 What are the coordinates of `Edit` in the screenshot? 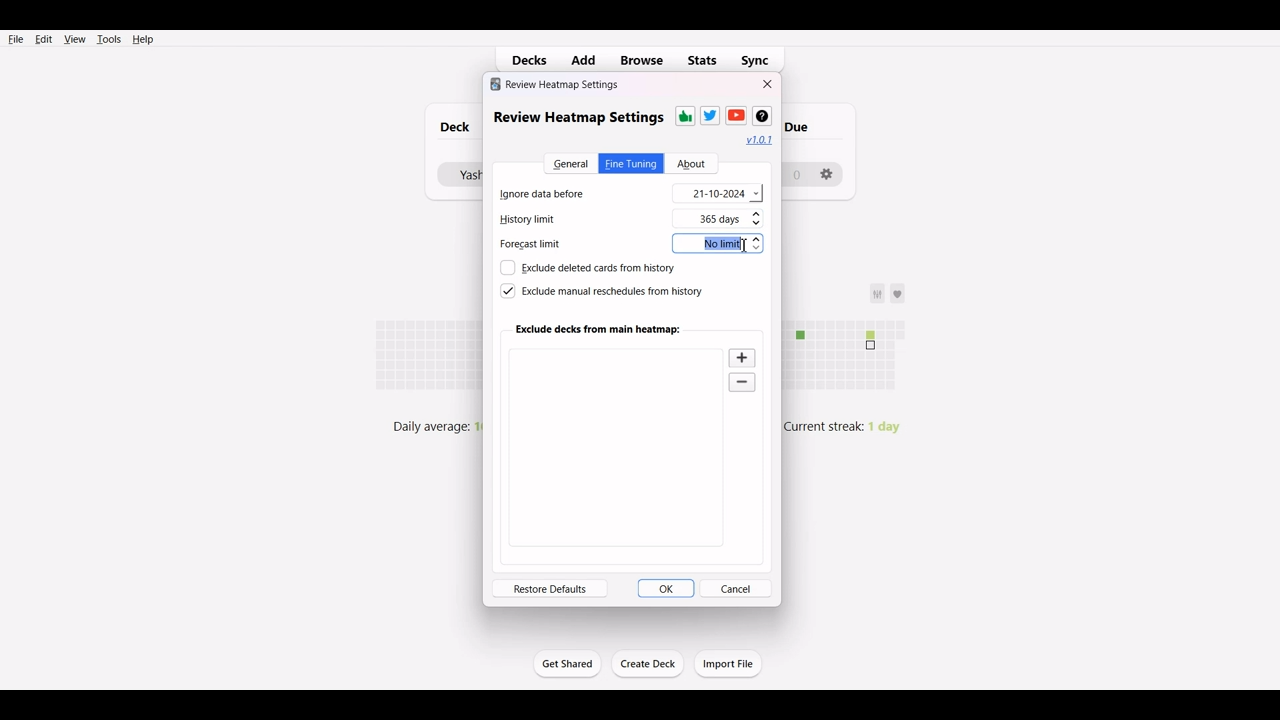 It's located at (43, 39).